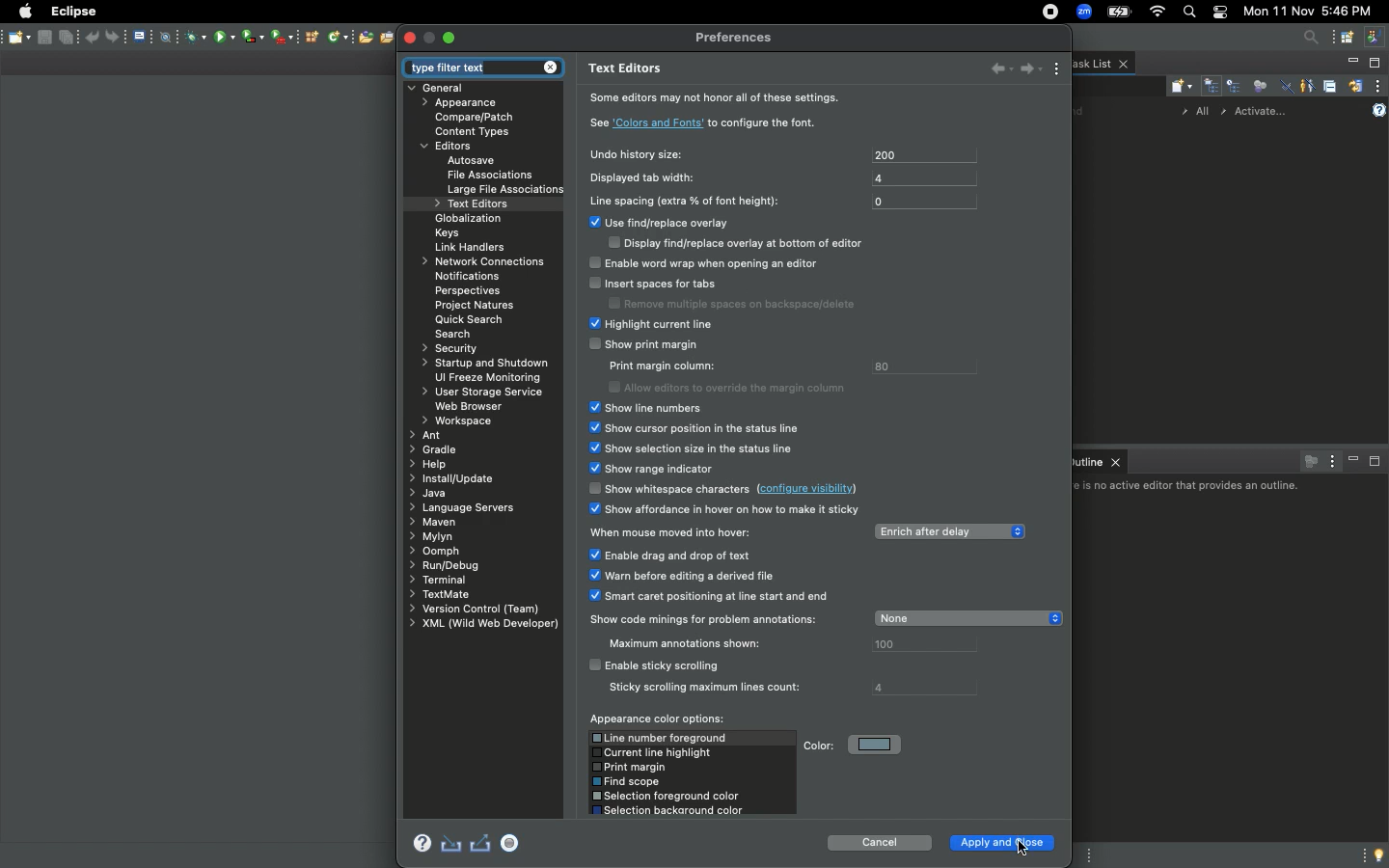 The image size is (1389, 868). What do you see at coordinates (465, 105) in the screenshot?
I see `Appearance` at bounding box center [465, 105].